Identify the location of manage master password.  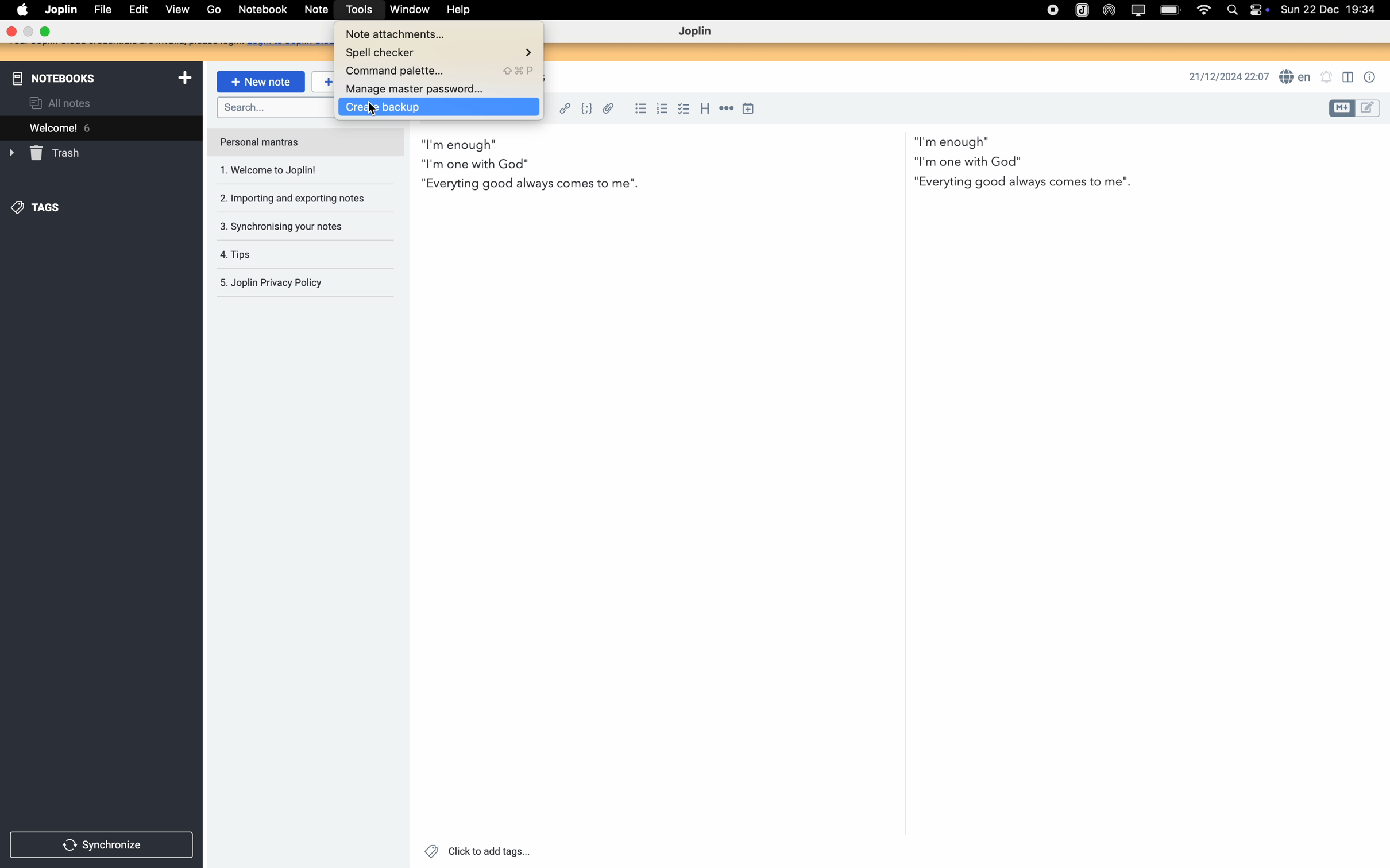
(418, 88).